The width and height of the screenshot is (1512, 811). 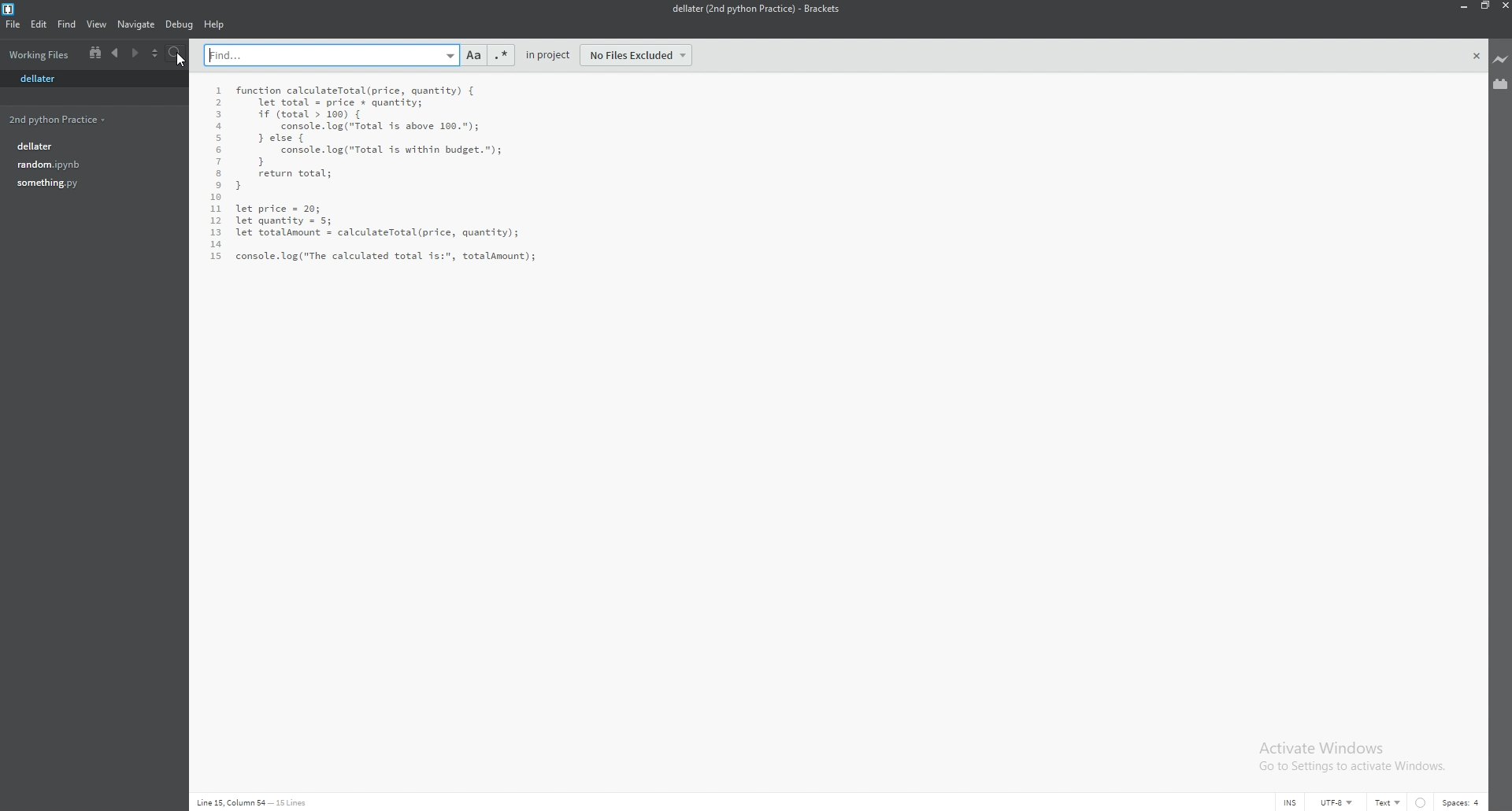 What do you see at coordinates (135, 54) in the screenshot?
I see `next` at bounding box center [135, 54].